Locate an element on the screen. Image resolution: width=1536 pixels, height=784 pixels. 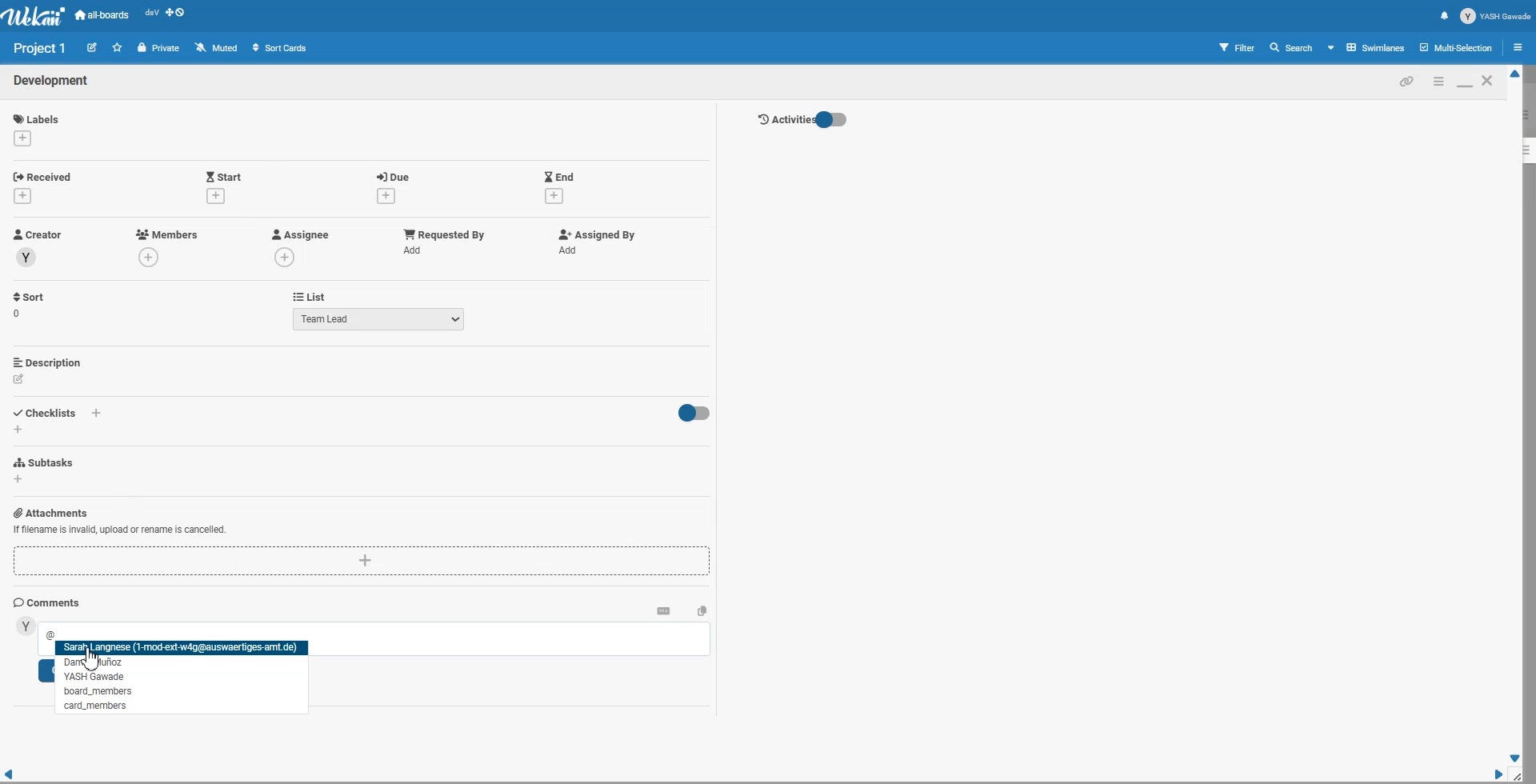
add is located at coordinates (22, 138).